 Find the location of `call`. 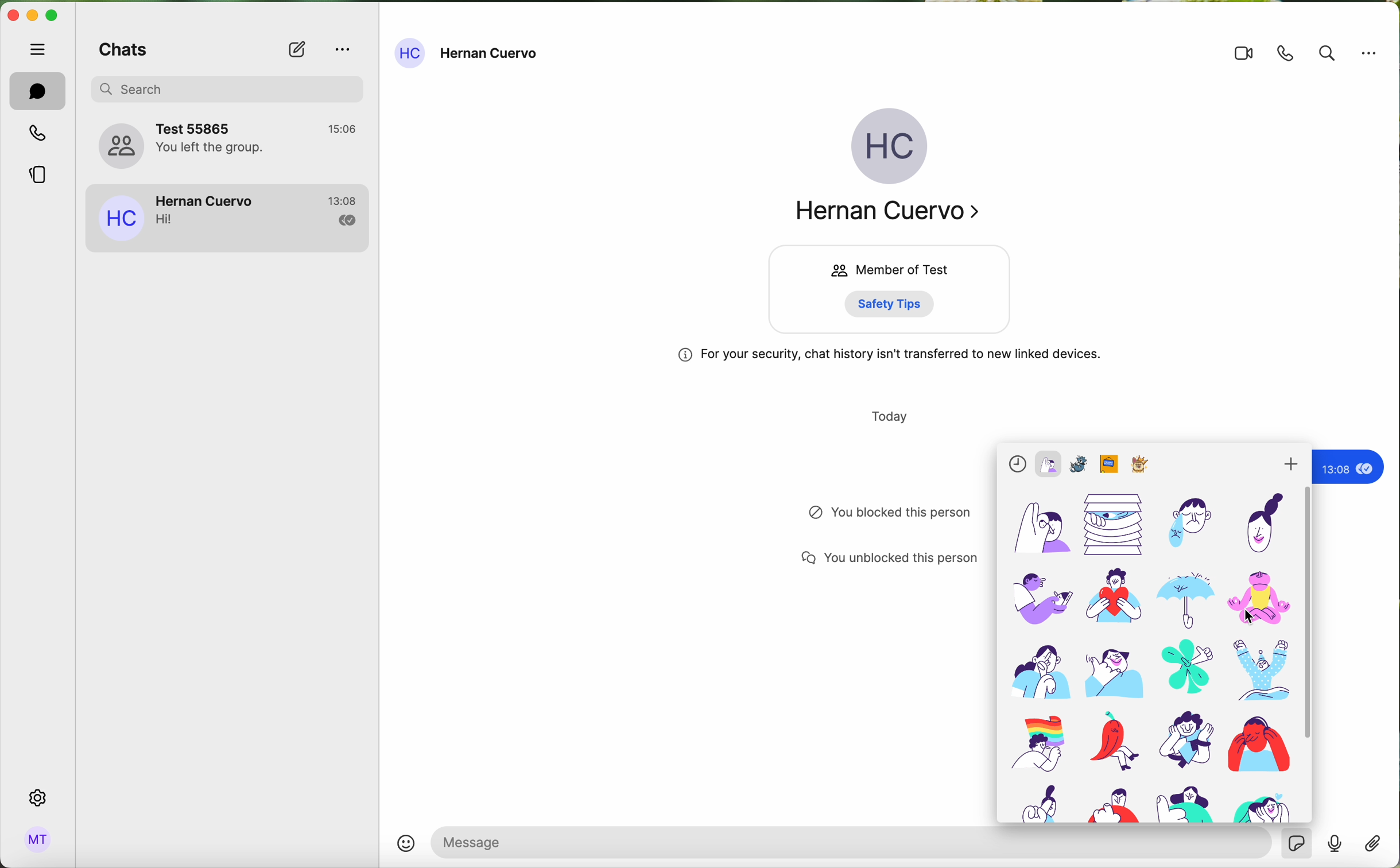

call is located at coordinates (1287, 53).